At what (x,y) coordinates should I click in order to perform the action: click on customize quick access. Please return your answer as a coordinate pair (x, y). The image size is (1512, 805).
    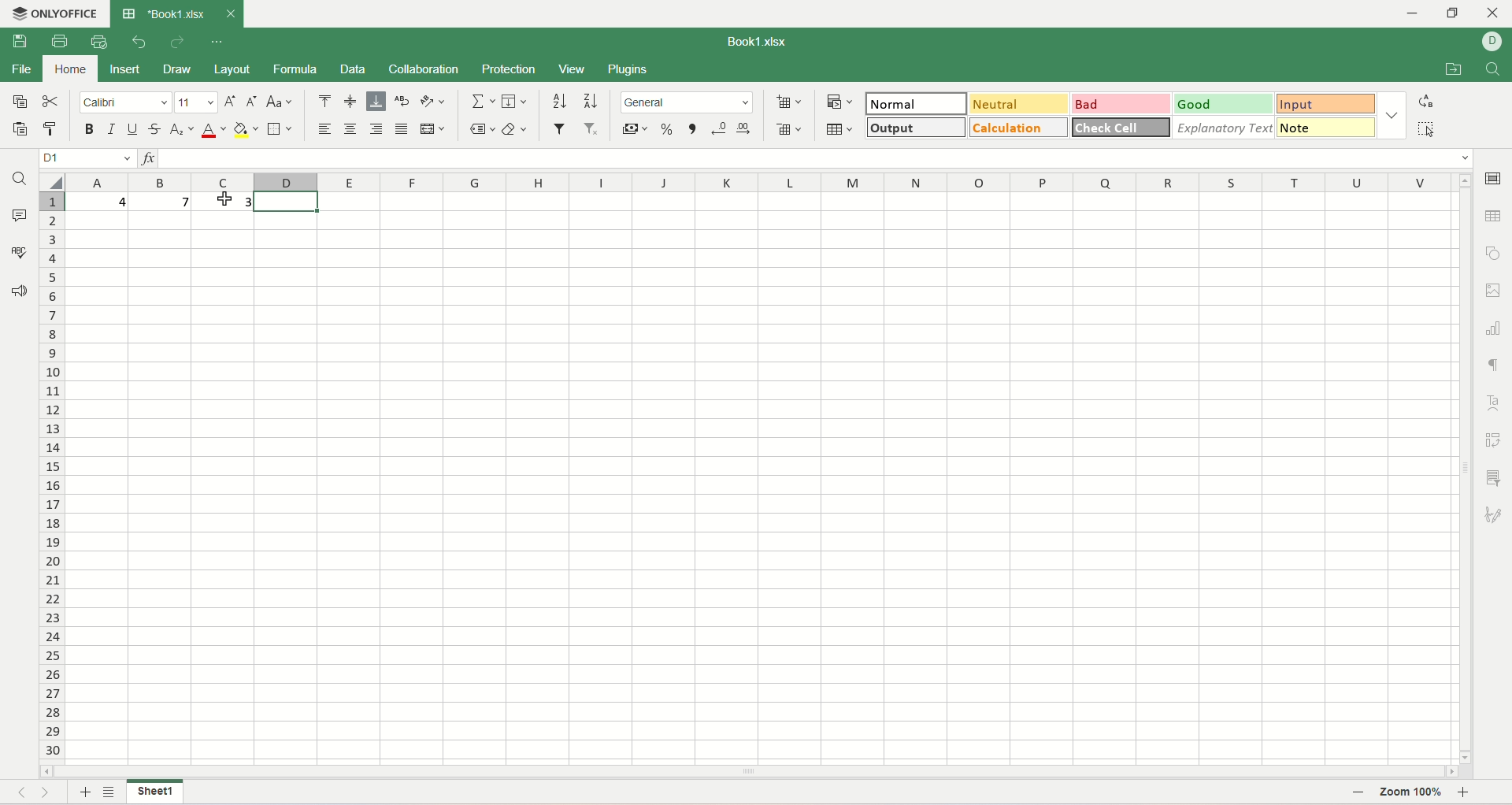
    Looking at the image, I should click on (215, 42).